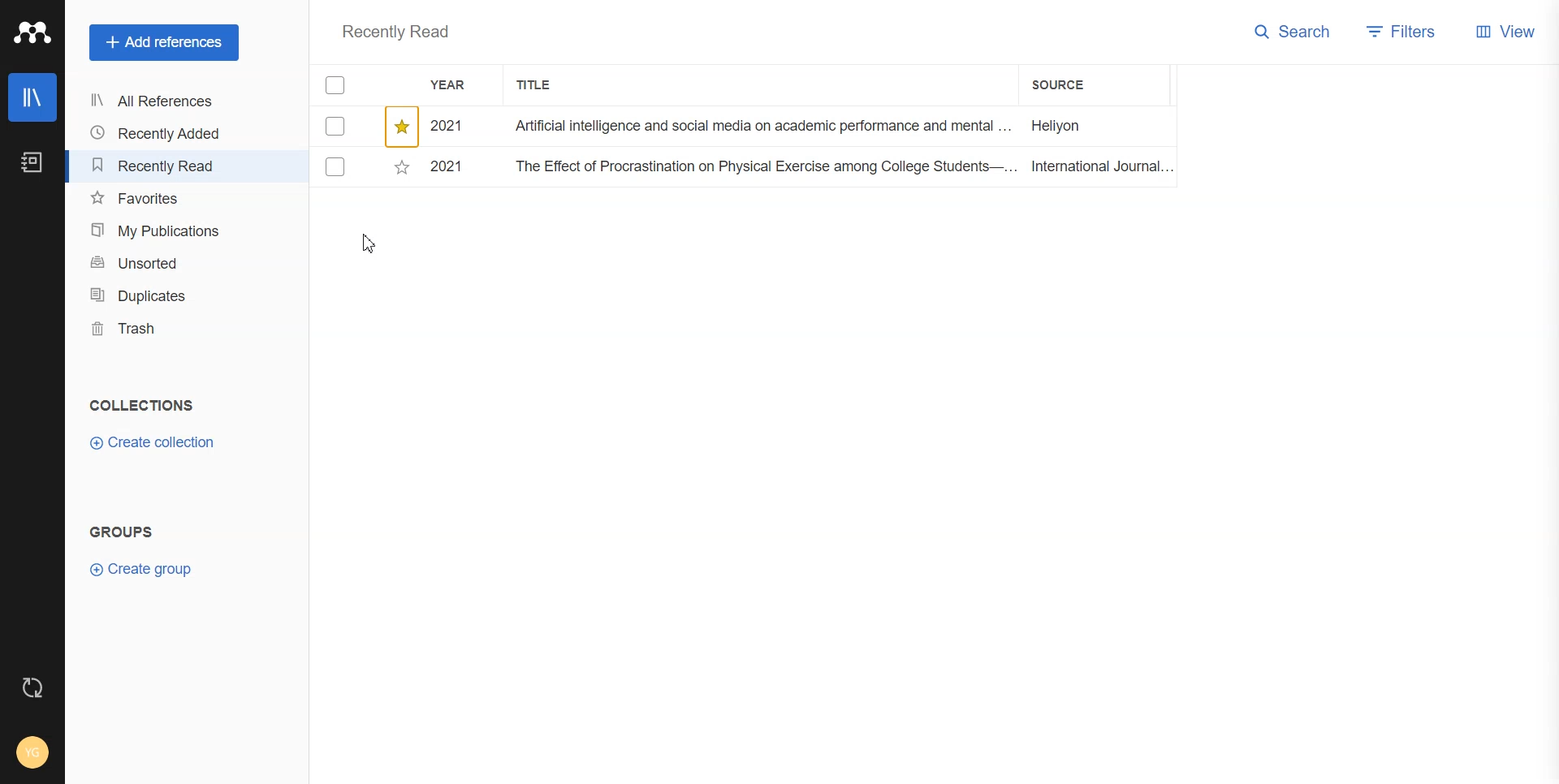 Image resolution: width=1559 pixels, height=784 pixels. I want to click on Title, so click(547, 84).